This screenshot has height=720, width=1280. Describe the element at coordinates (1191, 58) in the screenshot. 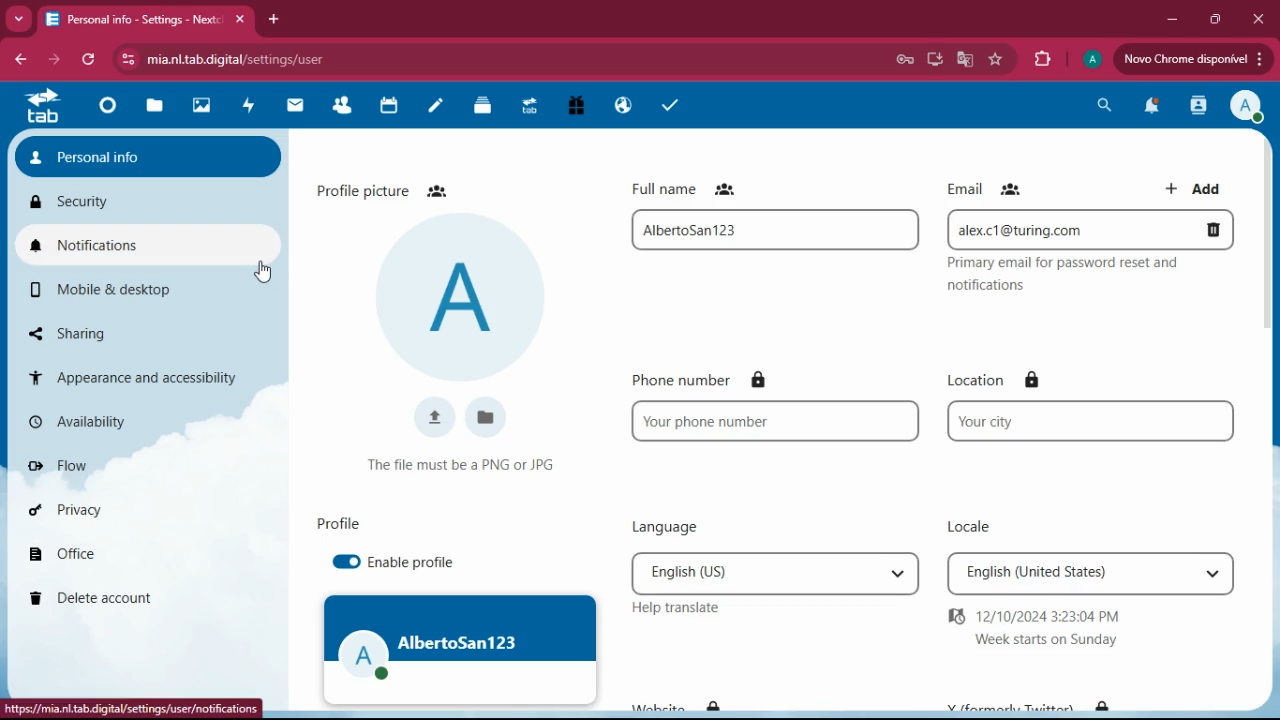

I see `update` at that location.